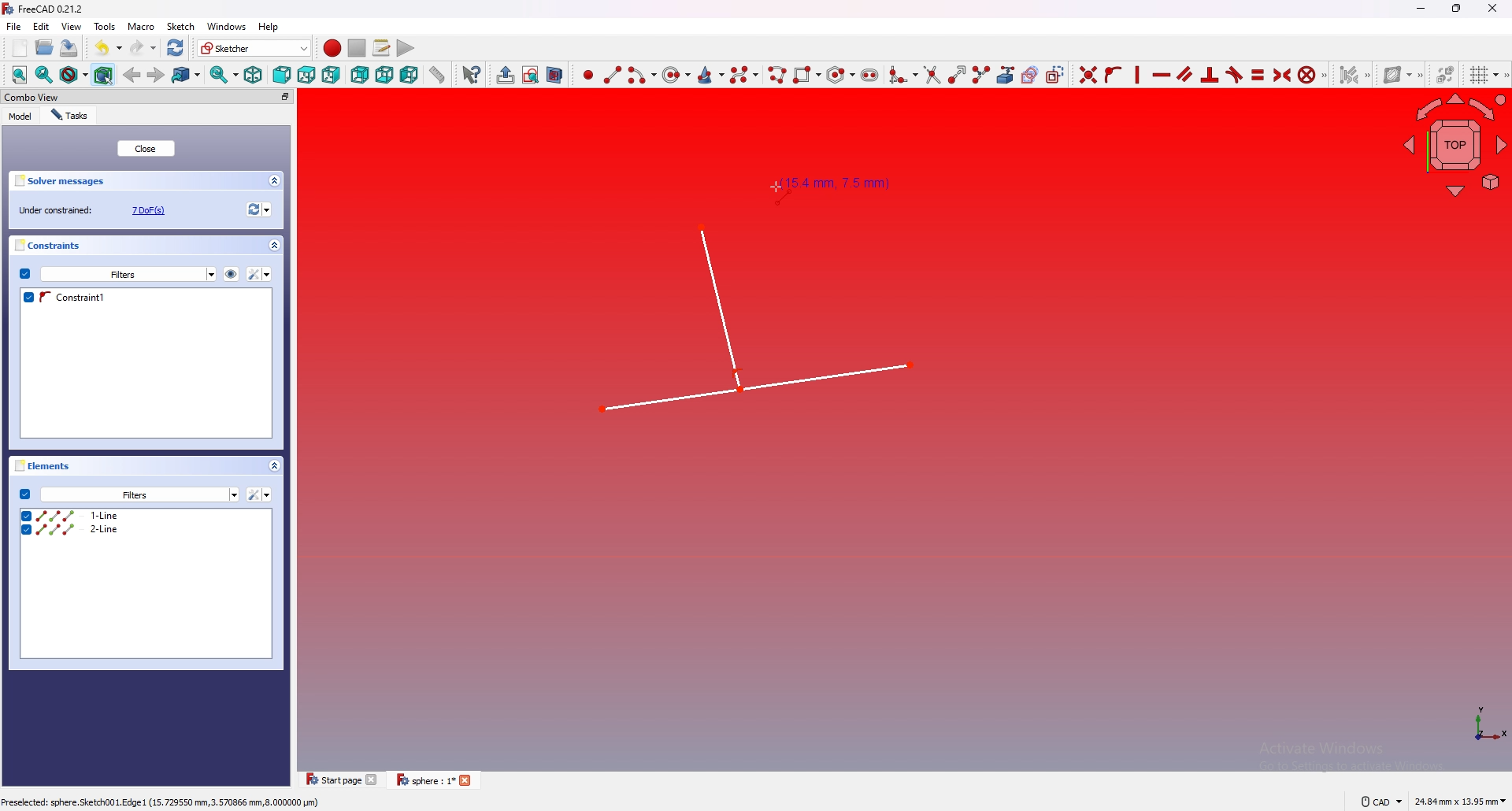  What do you see at coordinates (1028, 75) in the screenshot?
I see `Create carbon copy` at bounding box center [1028, 75].